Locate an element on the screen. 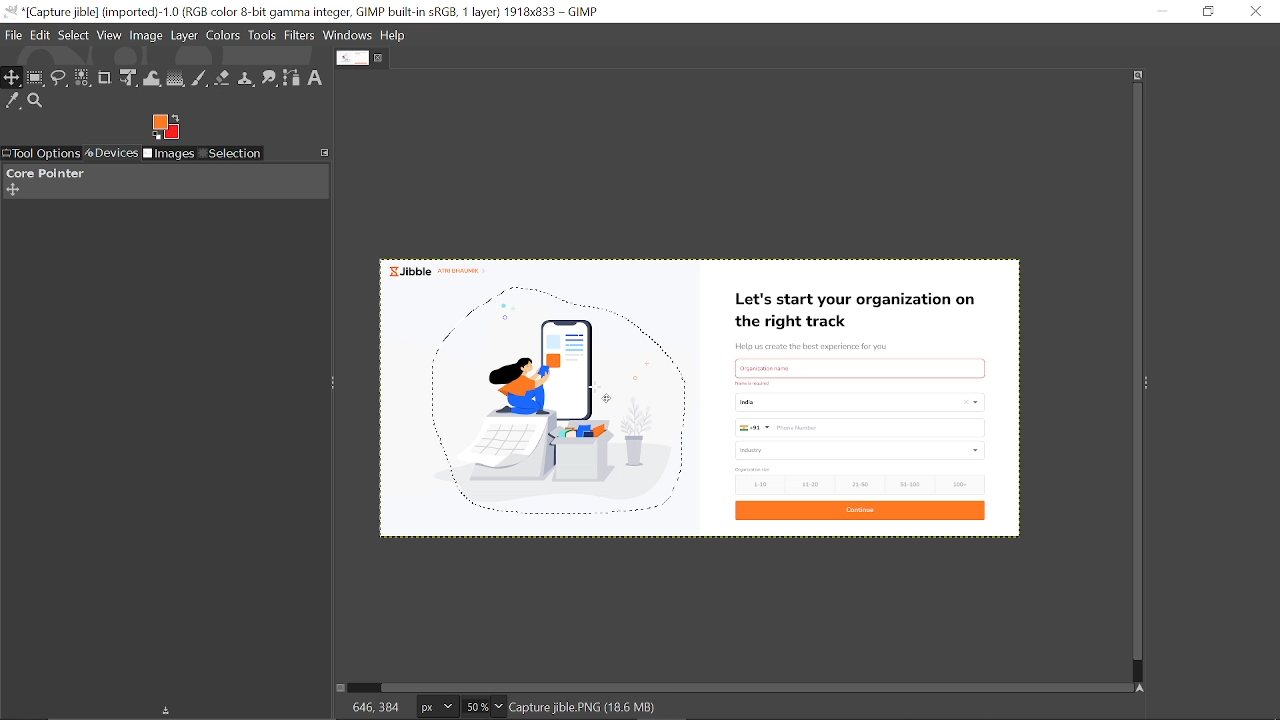  images is located at coordinates (169, 155).